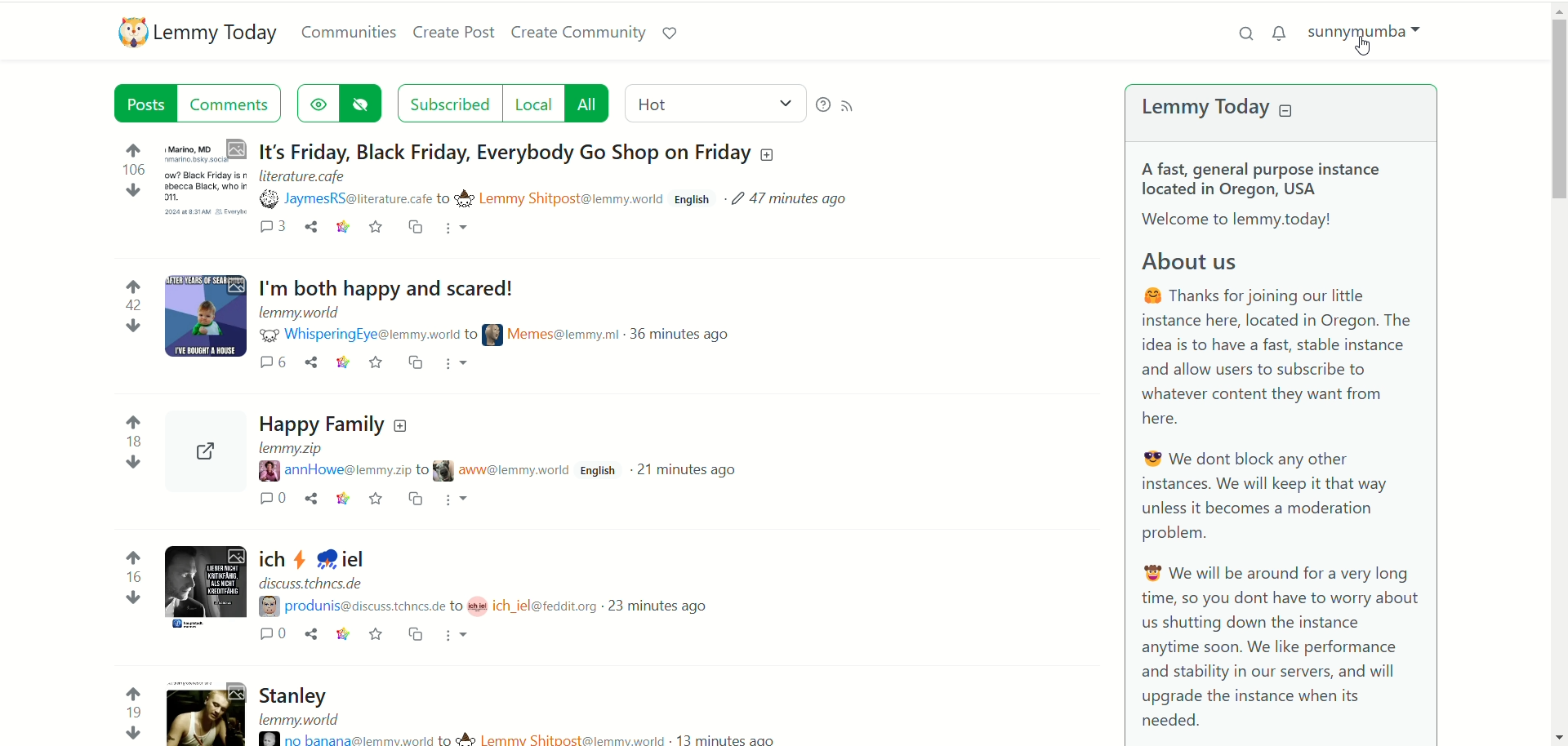 This screenshot has height=746, width=1568. I want to click on comment, so click(233, 104).